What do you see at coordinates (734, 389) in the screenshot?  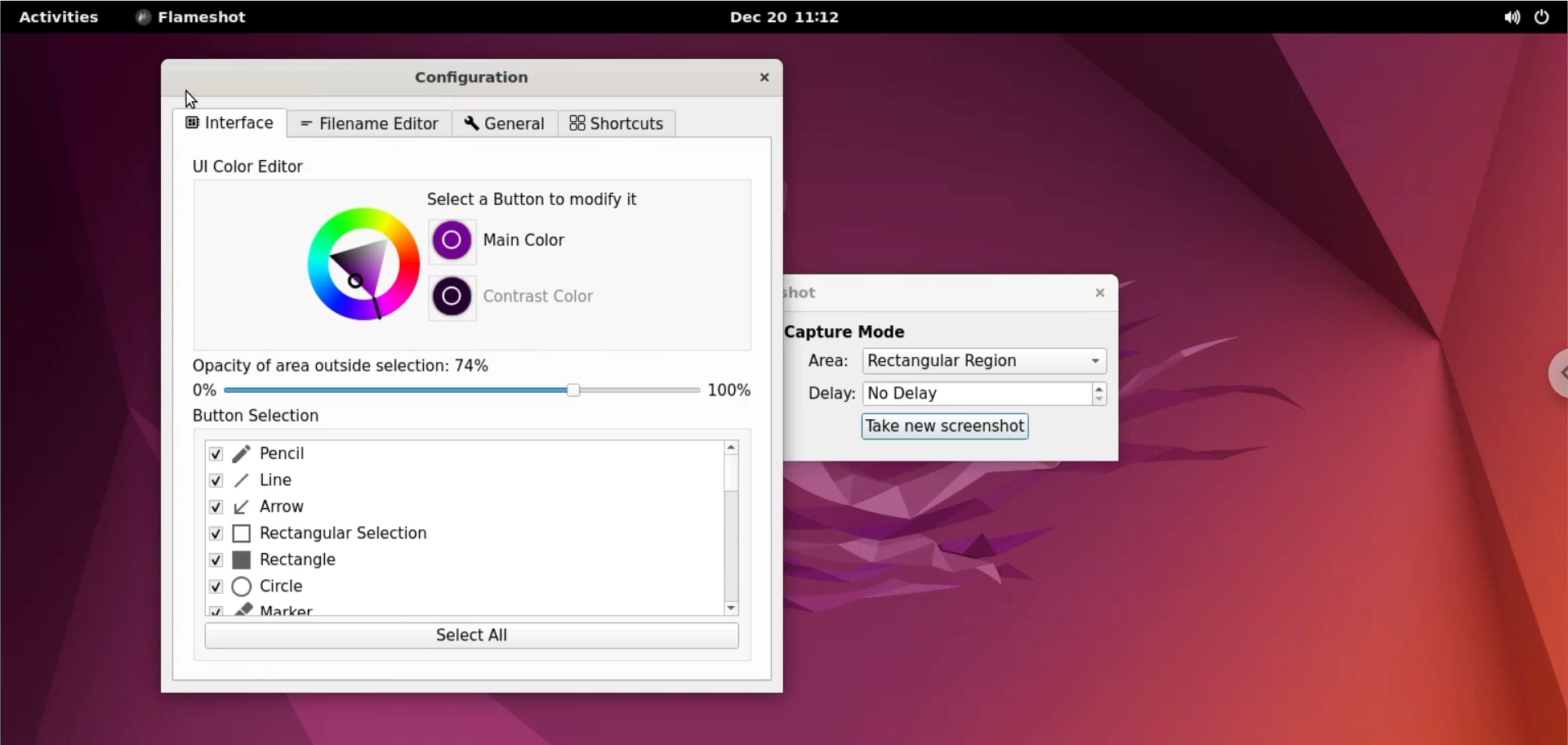 I see `100% ` at bounding box center [734, 389].